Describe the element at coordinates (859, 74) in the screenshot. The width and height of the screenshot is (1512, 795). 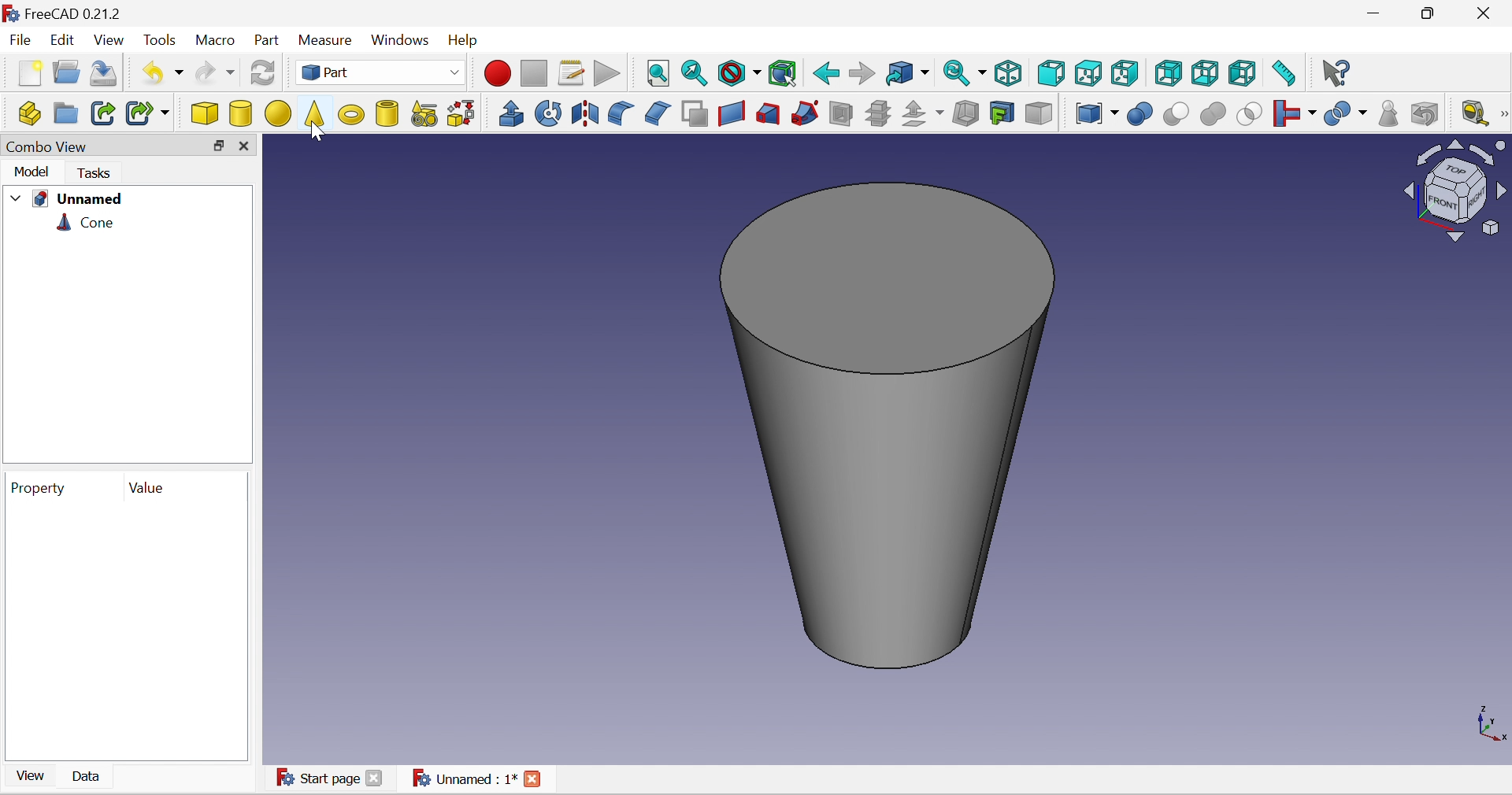
I see `Forward` at that location.